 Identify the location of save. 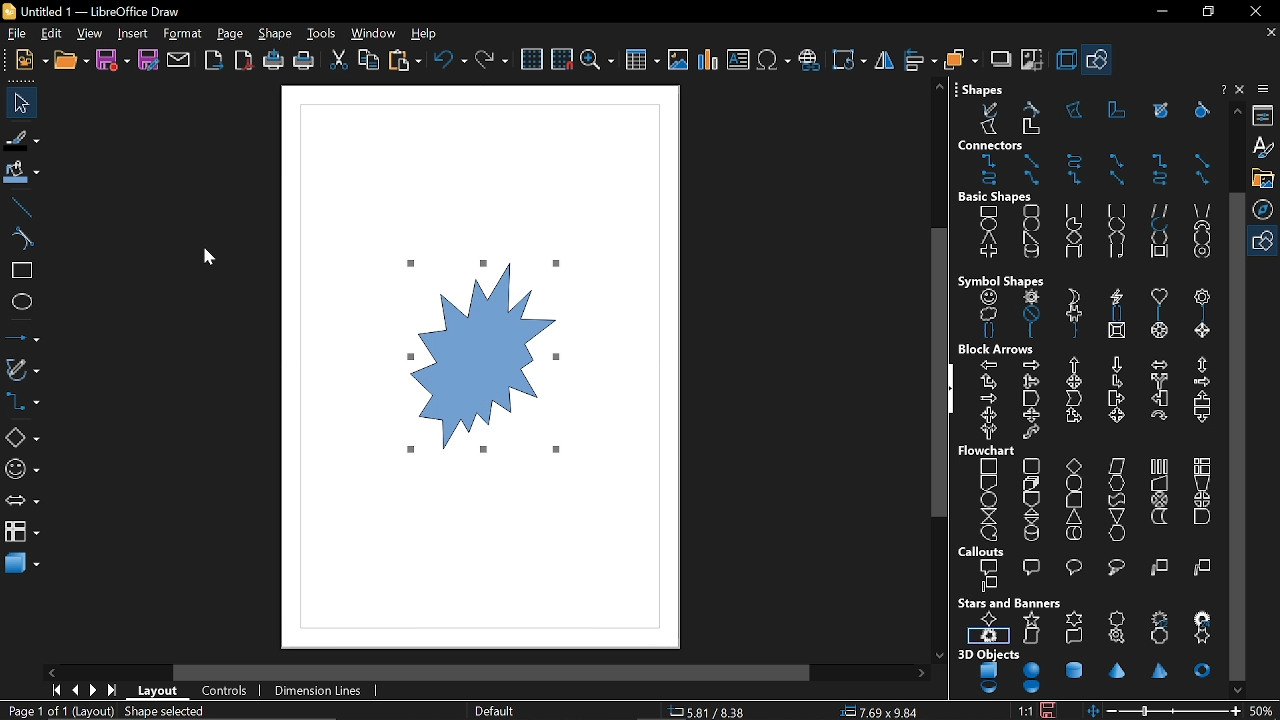
(1054, 710).